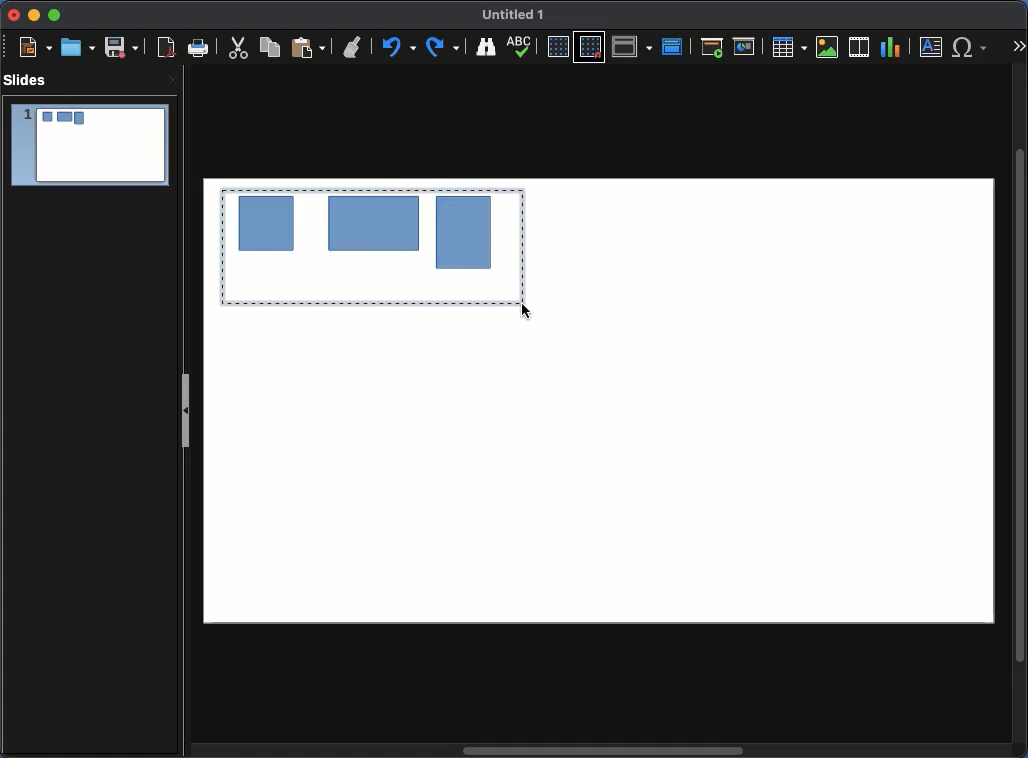 The width and height of the screenshot is (1028, 758). What do you see at coordinates (522, 46) in the screenshot?
I see `Spell check` at bounding box center [522, 46].